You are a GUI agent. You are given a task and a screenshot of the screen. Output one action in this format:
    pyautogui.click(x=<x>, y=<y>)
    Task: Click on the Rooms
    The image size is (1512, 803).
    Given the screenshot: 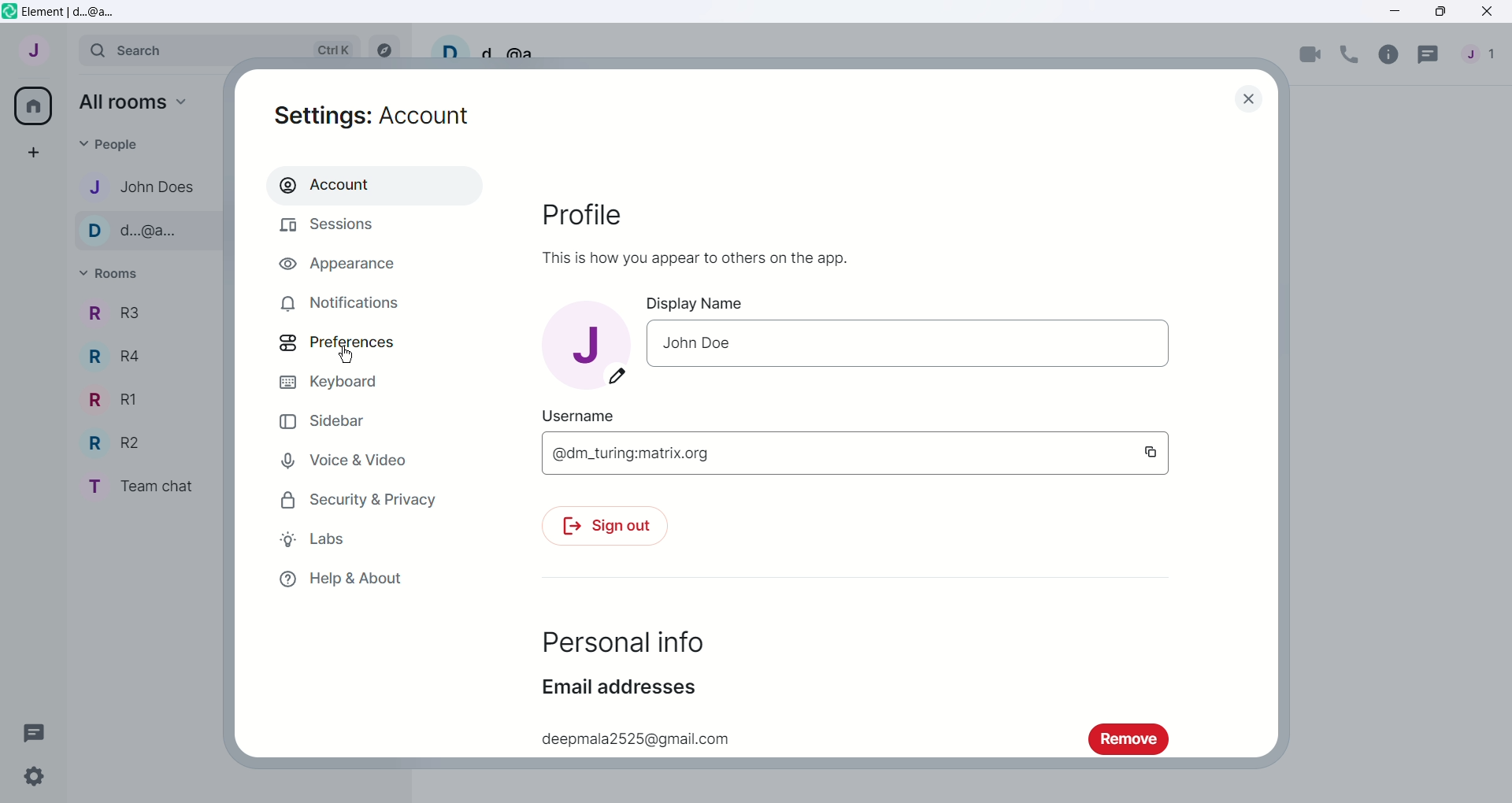 What is the action you would take?
    pyautogui.click(x=113, y=274)
    